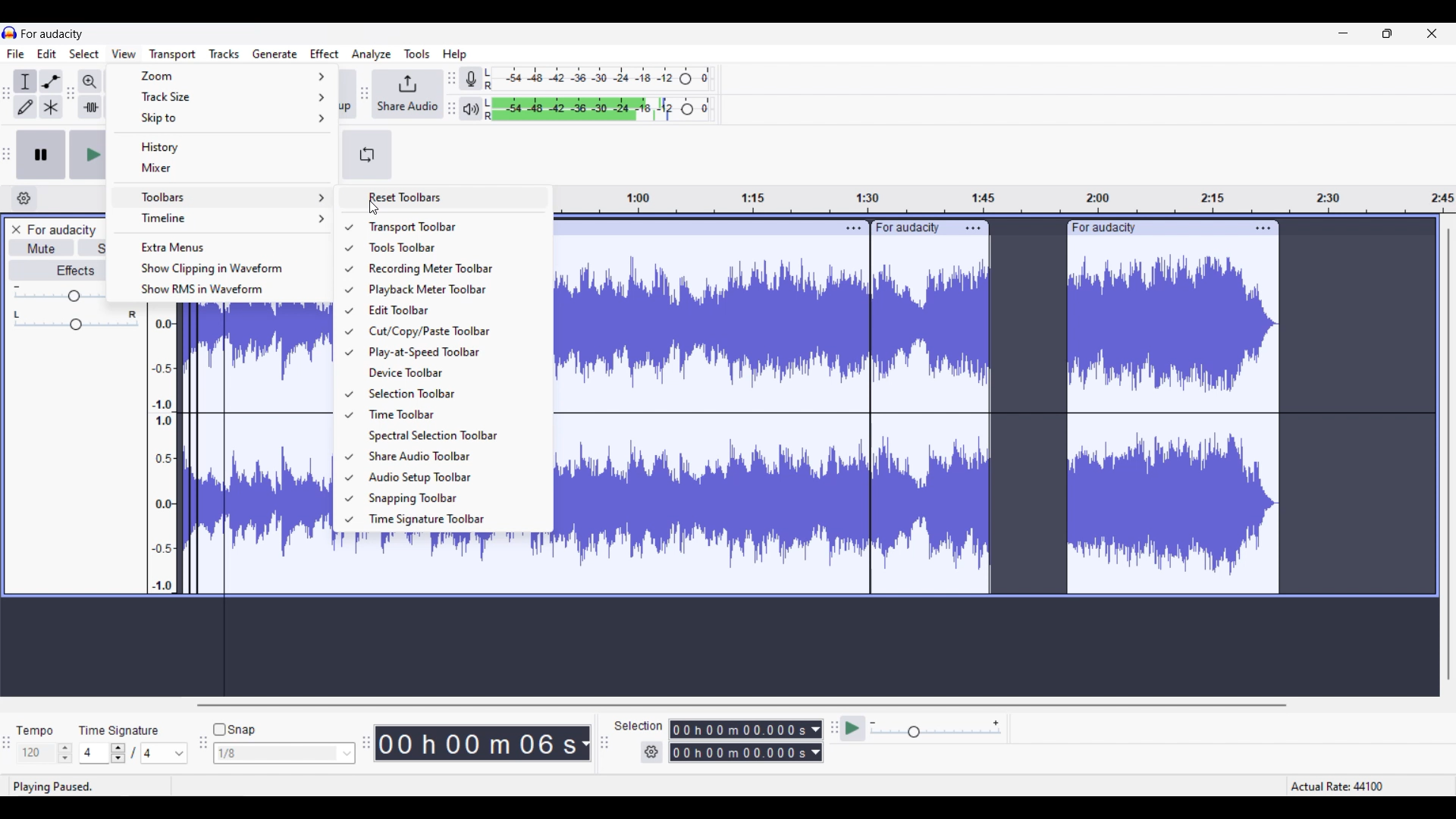 The image size is (1456, 819). Describe the element at coordinates (51, 81) in the screenshot. I see `Envelop tool` at that location.